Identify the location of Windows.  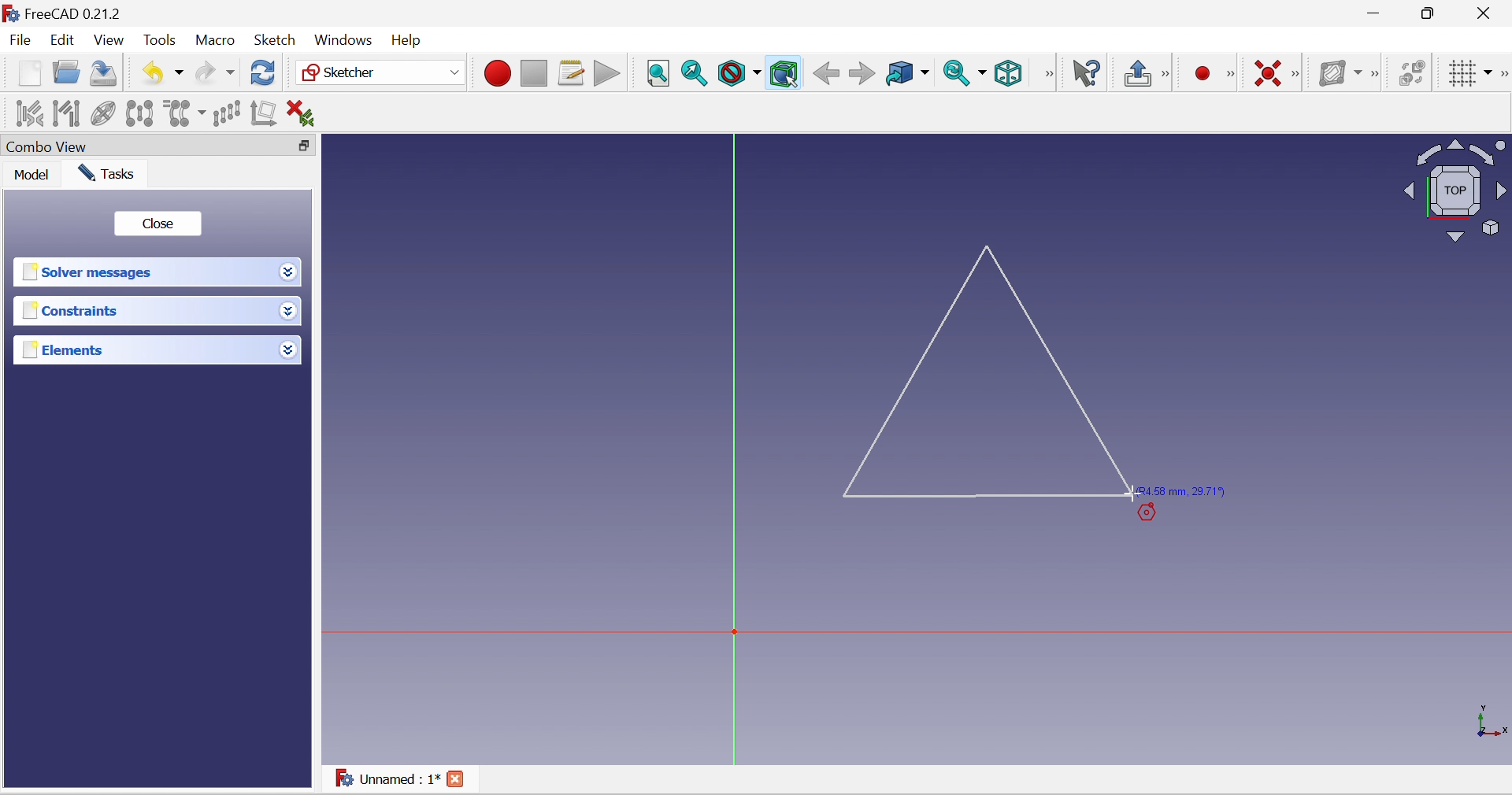
(344, 39).